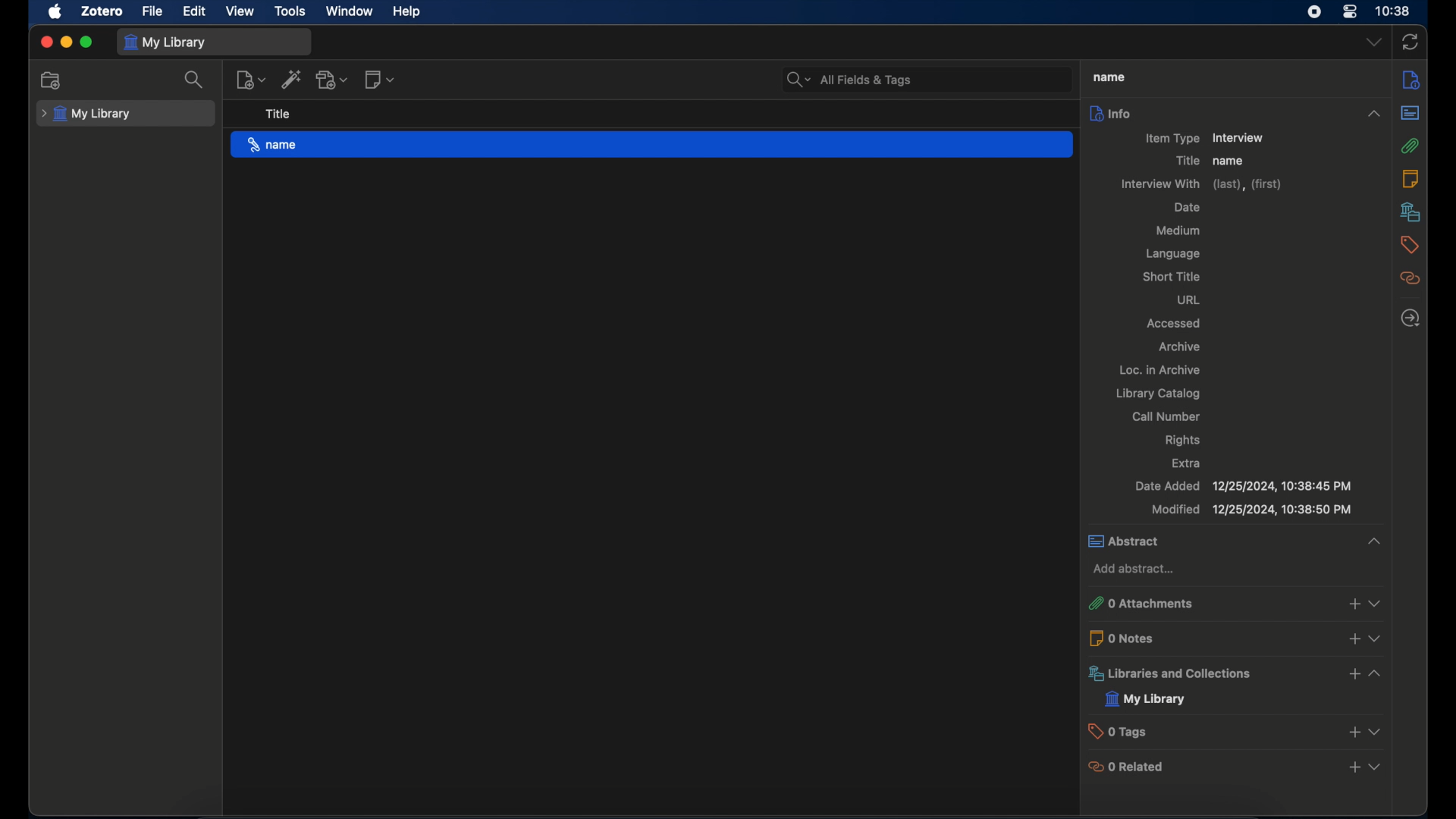  What do you see at coordinates (1251, 510) in the screenshot?
I see `modified` at bounding box center [1251, 510].